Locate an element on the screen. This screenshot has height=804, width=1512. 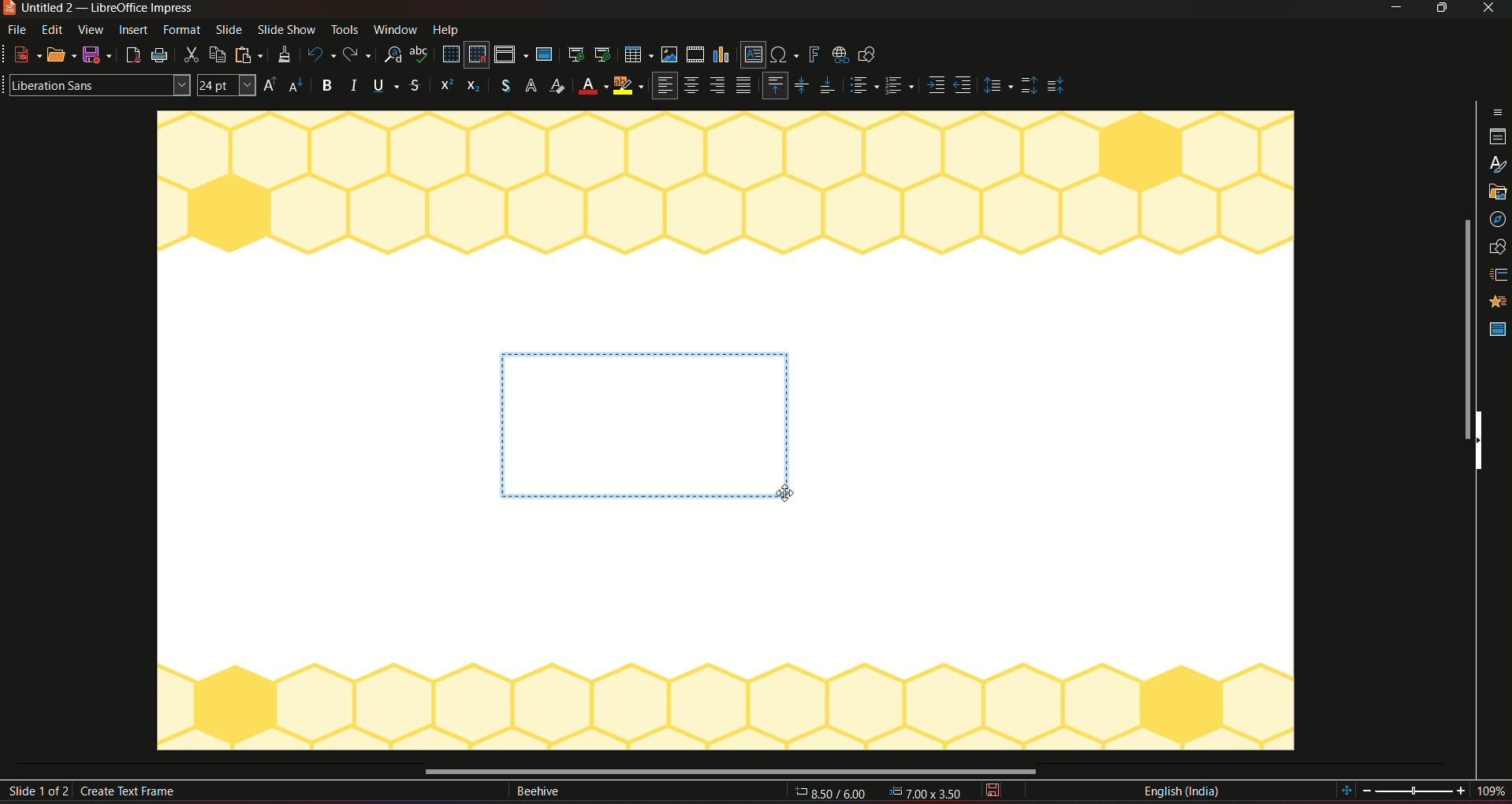
display grid is located at coordinates (450, 54).